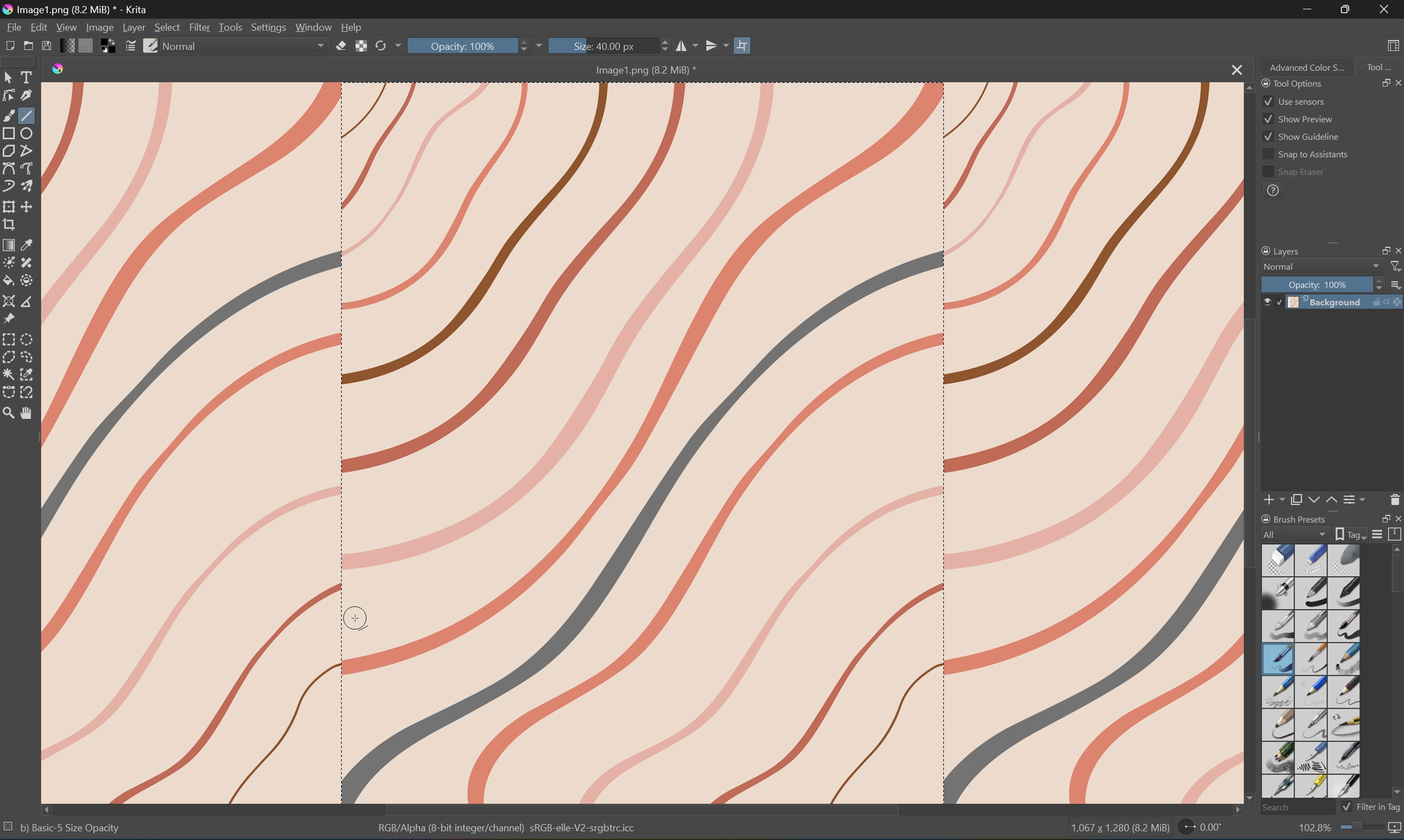 The image size is (1404, 840). What do you see at coordinates (1395, 576) in the screenshot?
I see `Scroll Bar` at bounding box center [1395, 576].